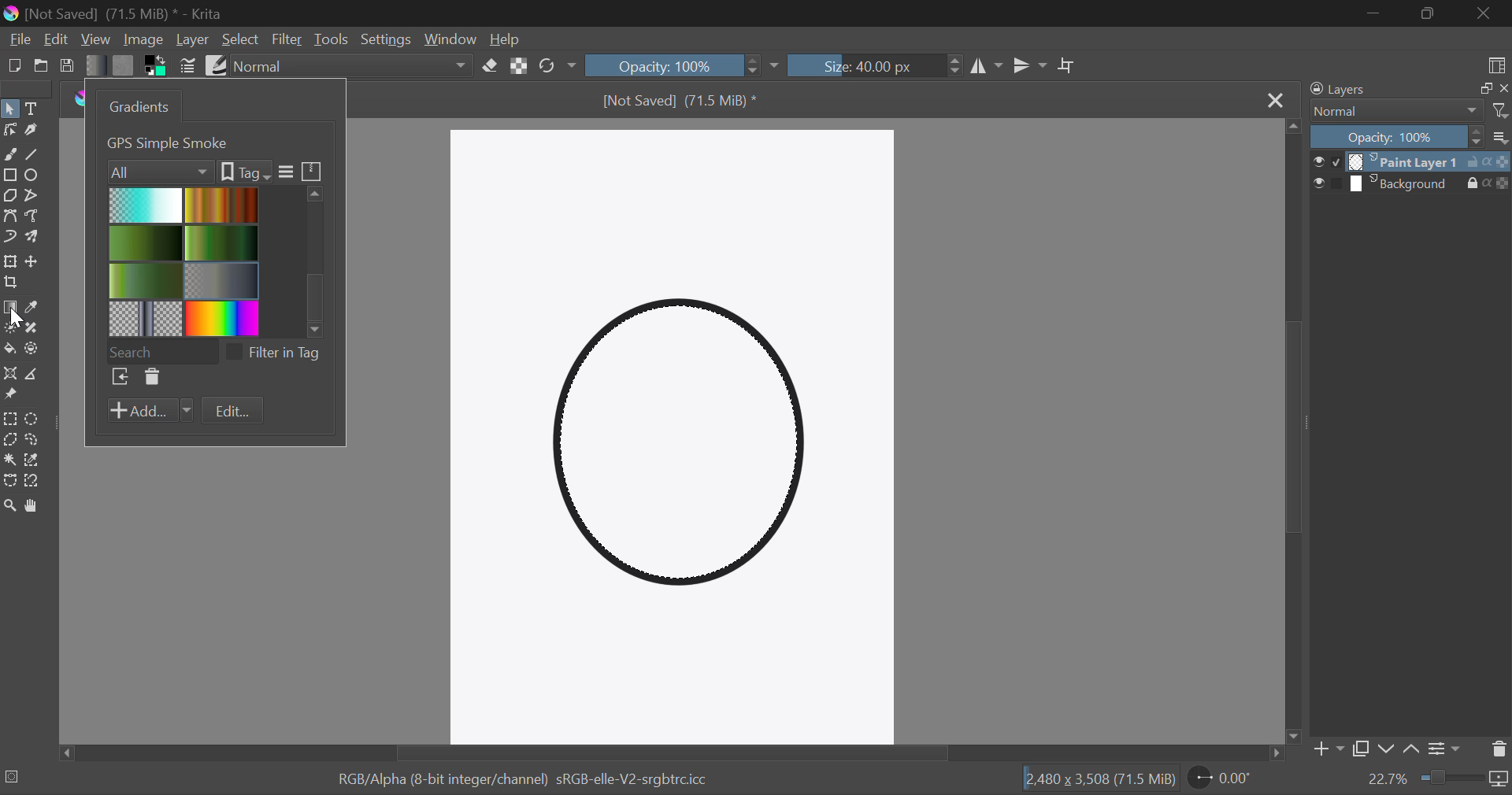 The width and height of the screenshot is (1512, 795). What do you see at coordinates (146, 206) in the screenshot?
I see `Blue Gradient` at bounding box center [146, 206].